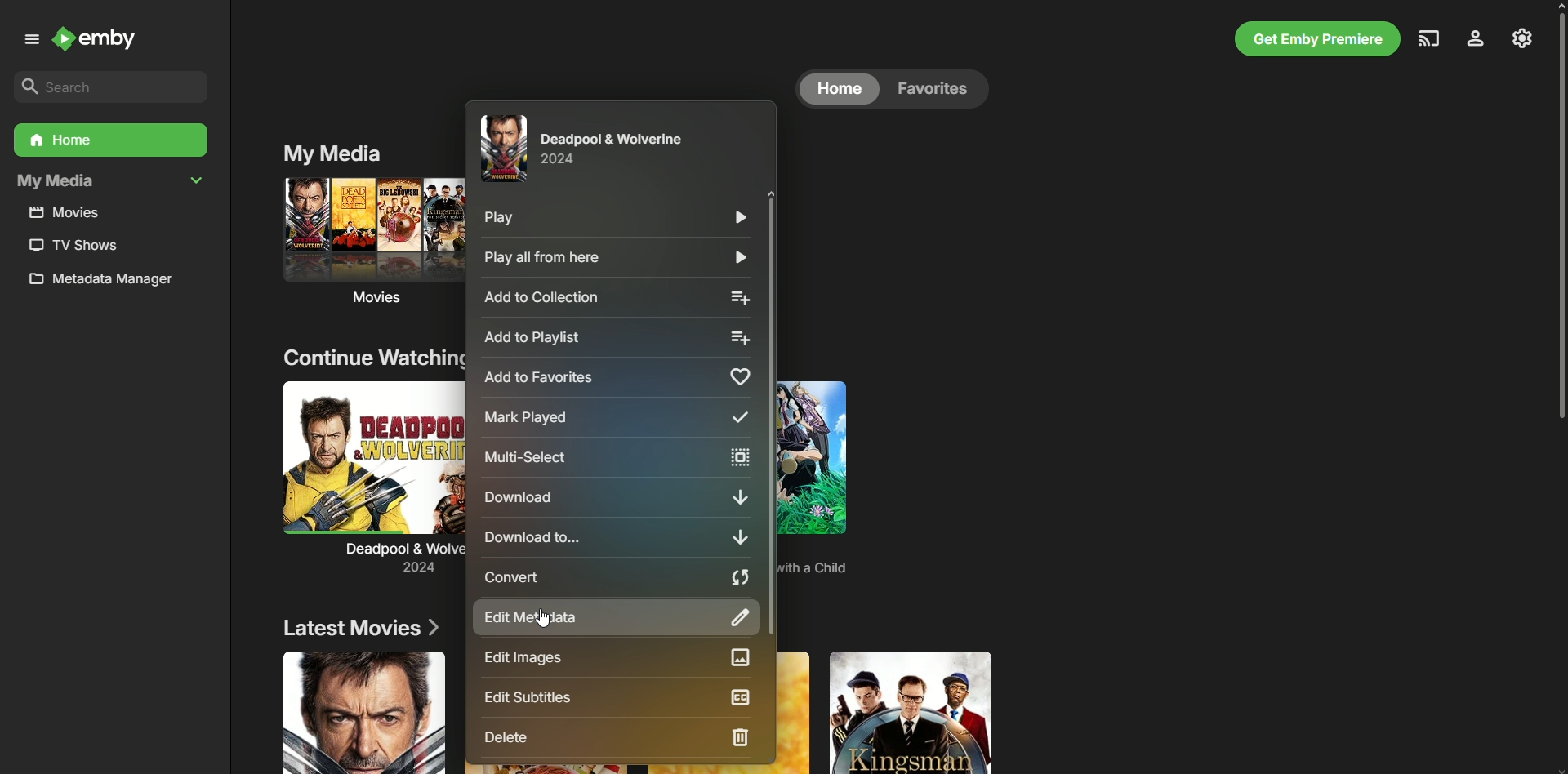  Describe the element at coordinates (330, 153) in the screenshot. I see `My  Media` at that location.